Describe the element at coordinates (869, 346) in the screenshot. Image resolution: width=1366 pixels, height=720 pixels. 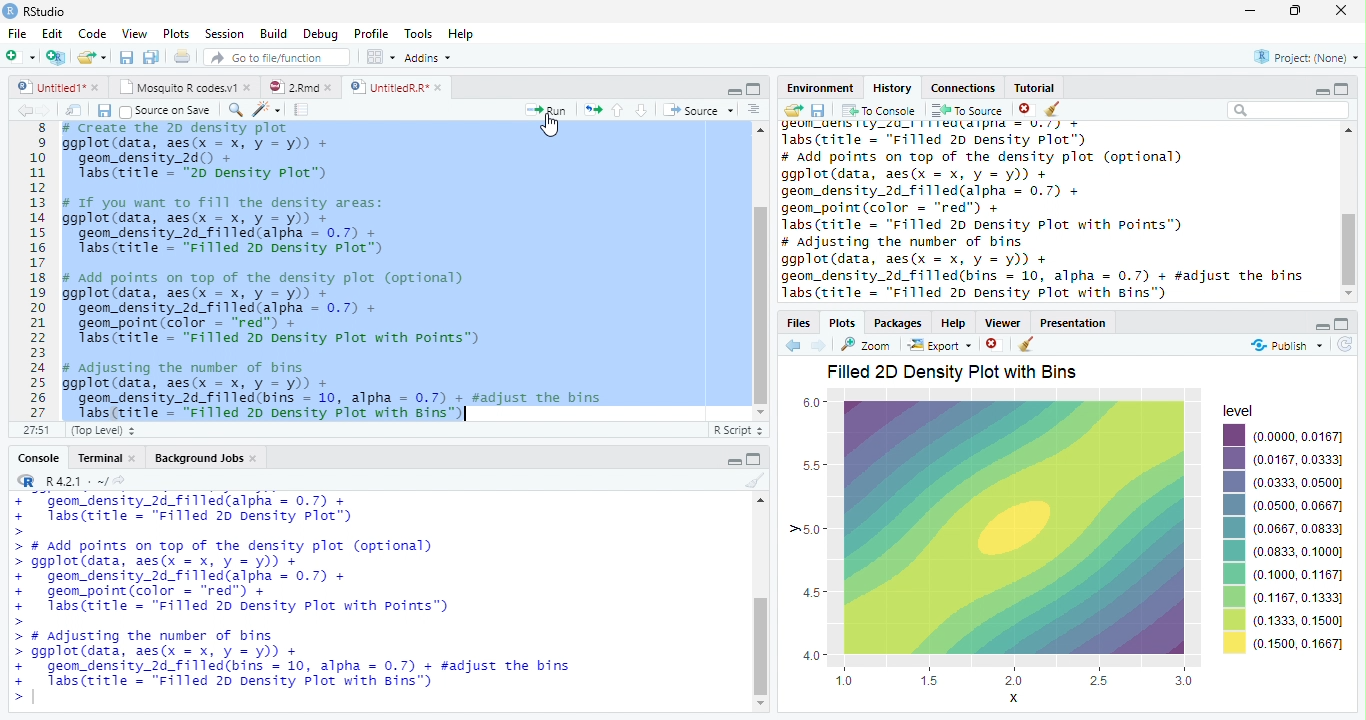
I see `zoom` at that location.